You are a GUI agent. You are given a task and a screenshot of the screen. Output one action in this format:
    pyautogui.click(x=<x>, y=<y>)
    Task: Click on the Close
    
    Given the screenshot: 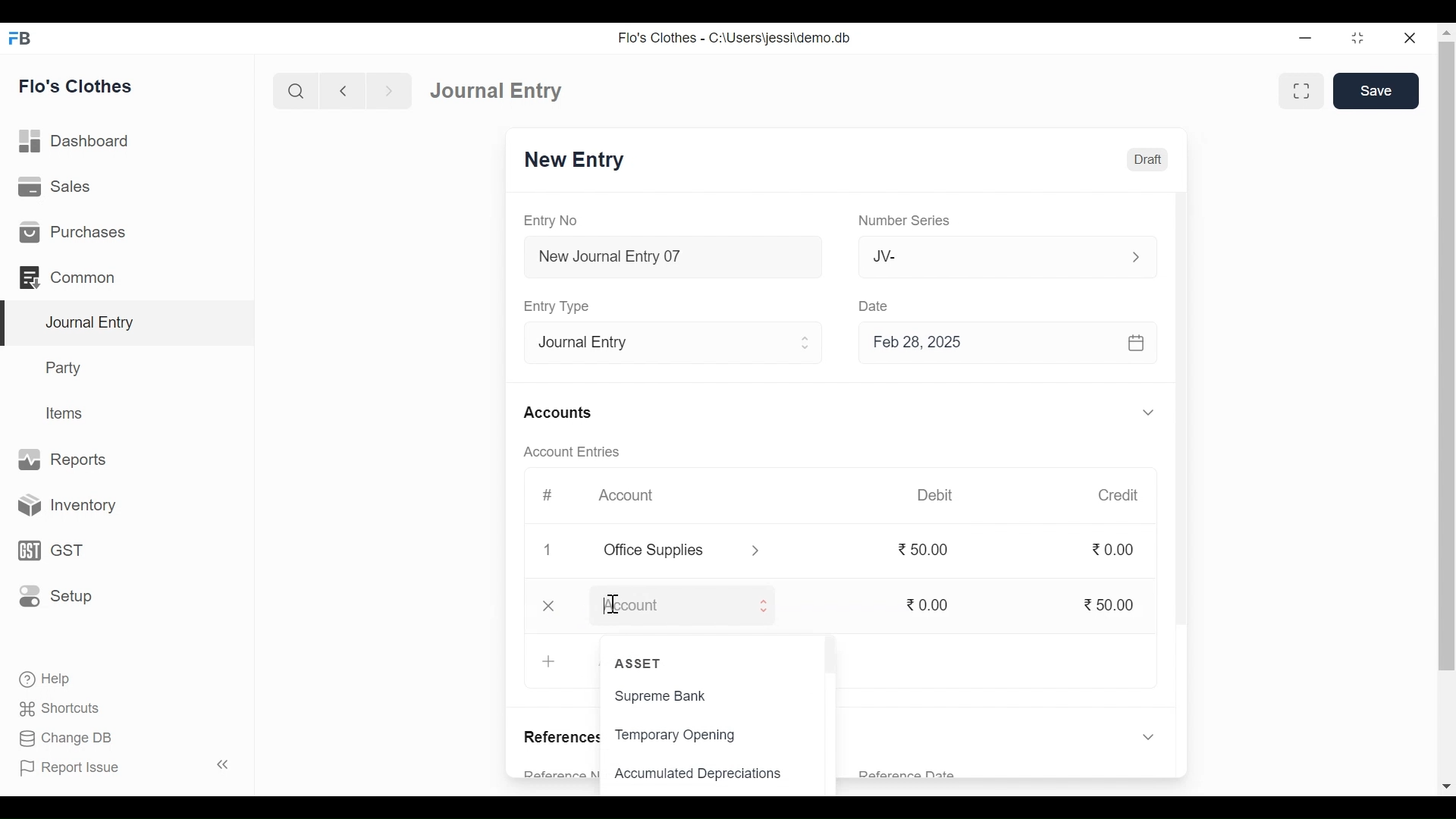 What is the action you would take?
    pyautogui.click(x=1412, y=39)
    